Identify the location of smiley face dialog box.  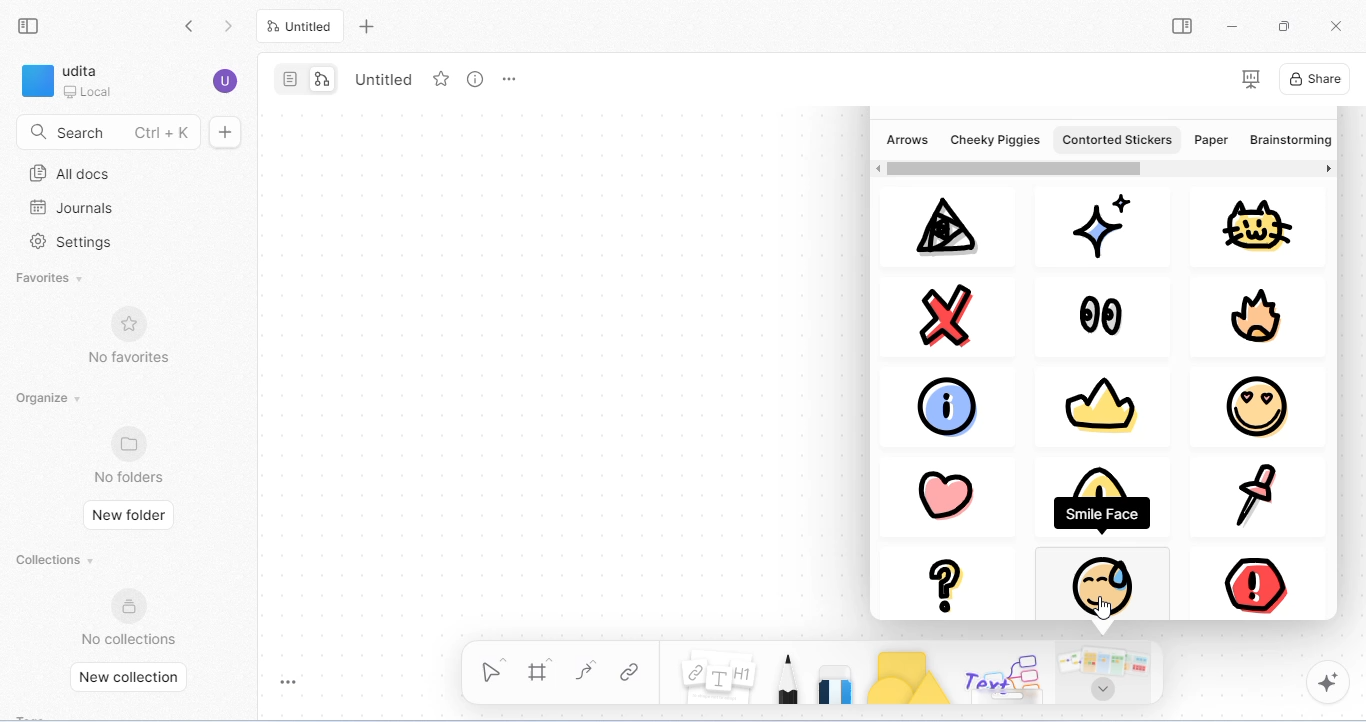
(1103, 512).